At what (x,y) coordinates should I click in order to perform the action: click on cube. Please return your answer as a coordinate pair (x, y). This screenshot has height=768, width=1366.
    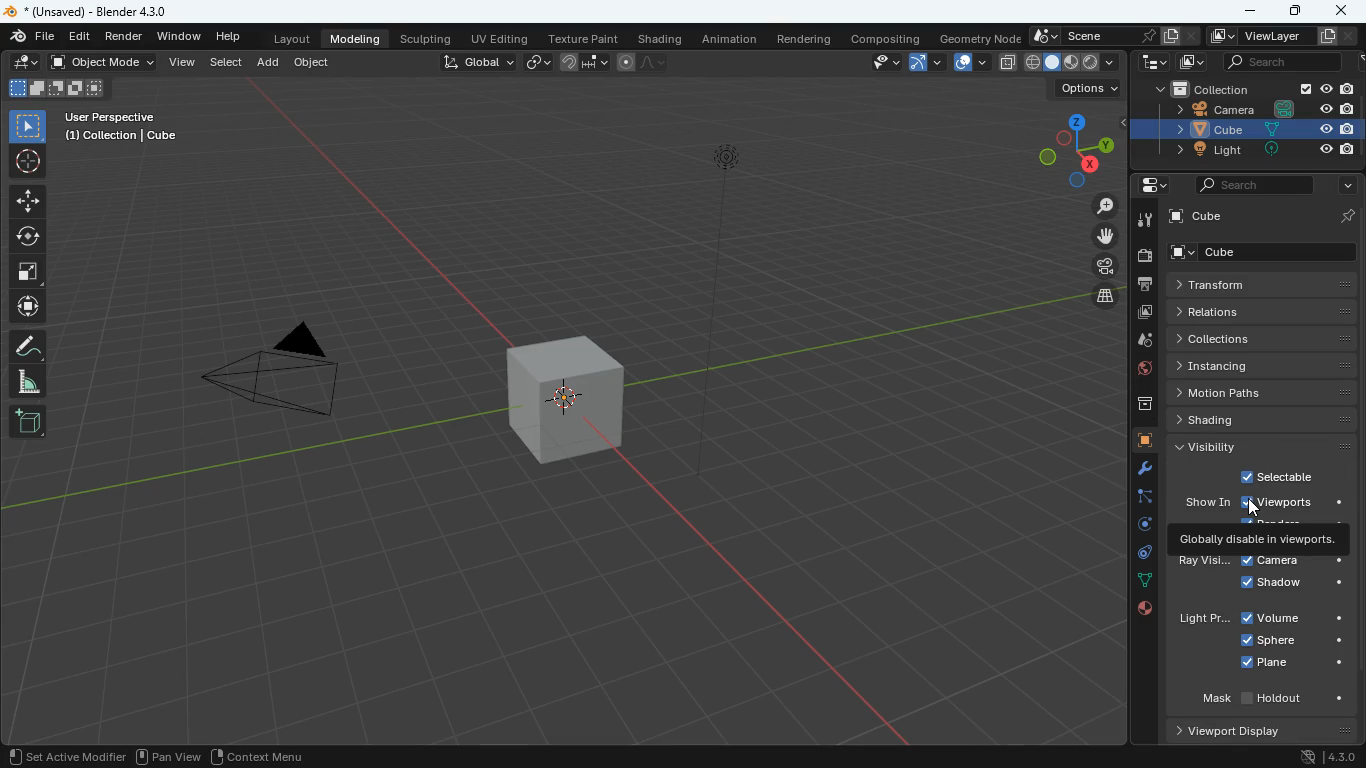
    Looking at the image, I should click on (1266, 253).